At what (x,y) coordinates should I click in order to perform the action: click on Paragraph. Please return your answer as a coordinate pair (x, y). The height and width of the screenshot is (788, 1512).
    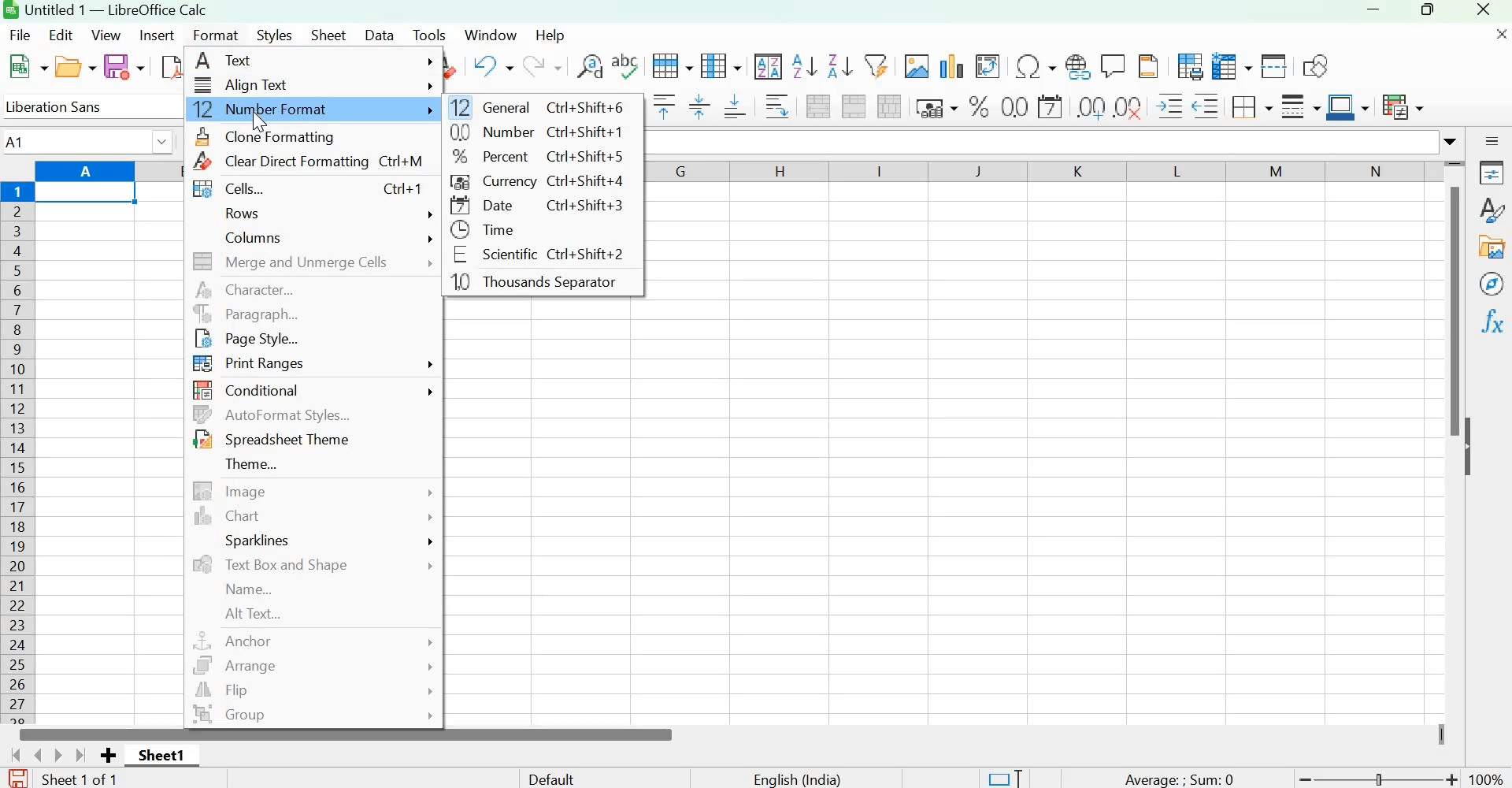
    Looking at the image, I should click on (249, 314).